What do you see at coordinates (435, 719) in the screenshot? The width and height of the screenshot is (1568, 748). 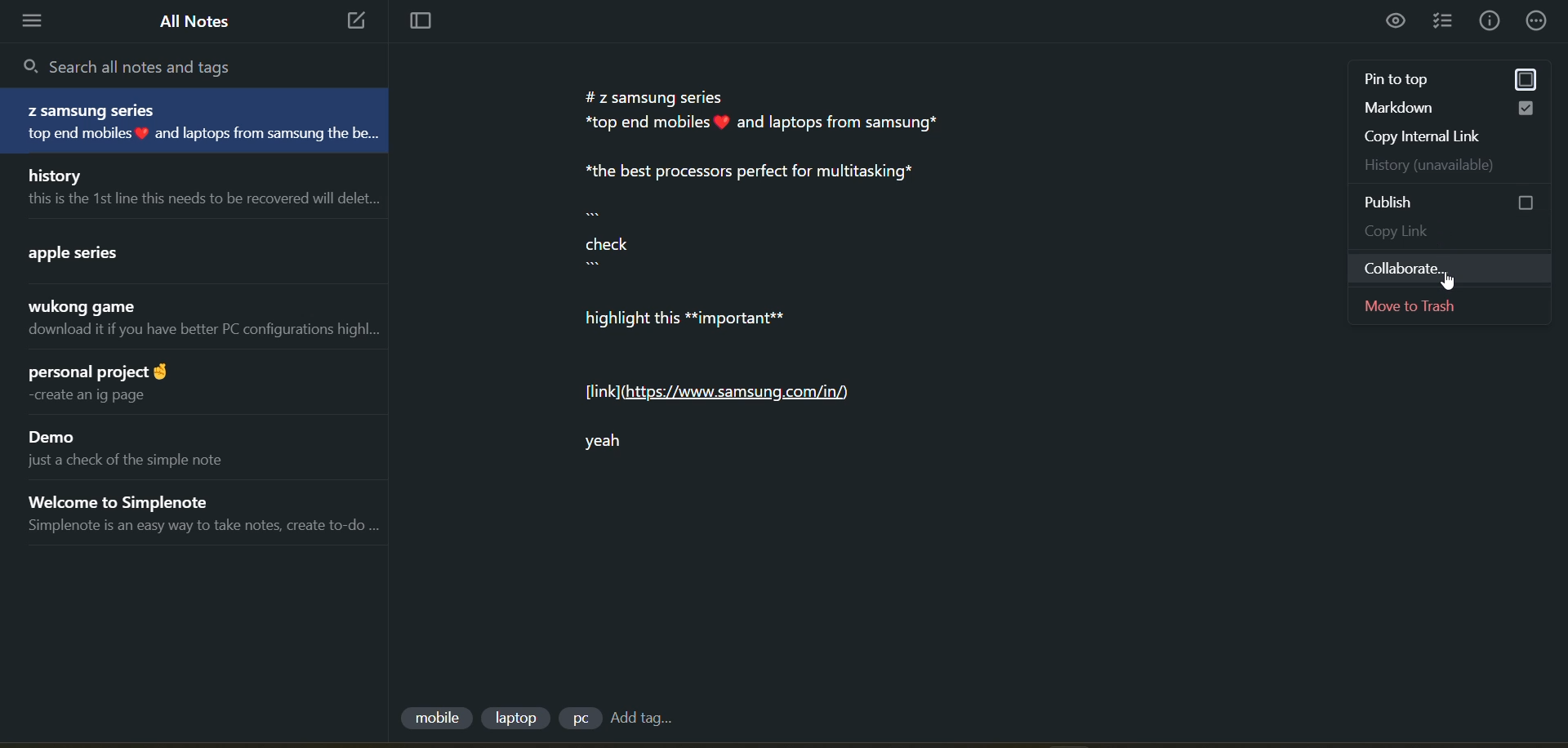 I see `tag 1` at bounding box center [435, 719].